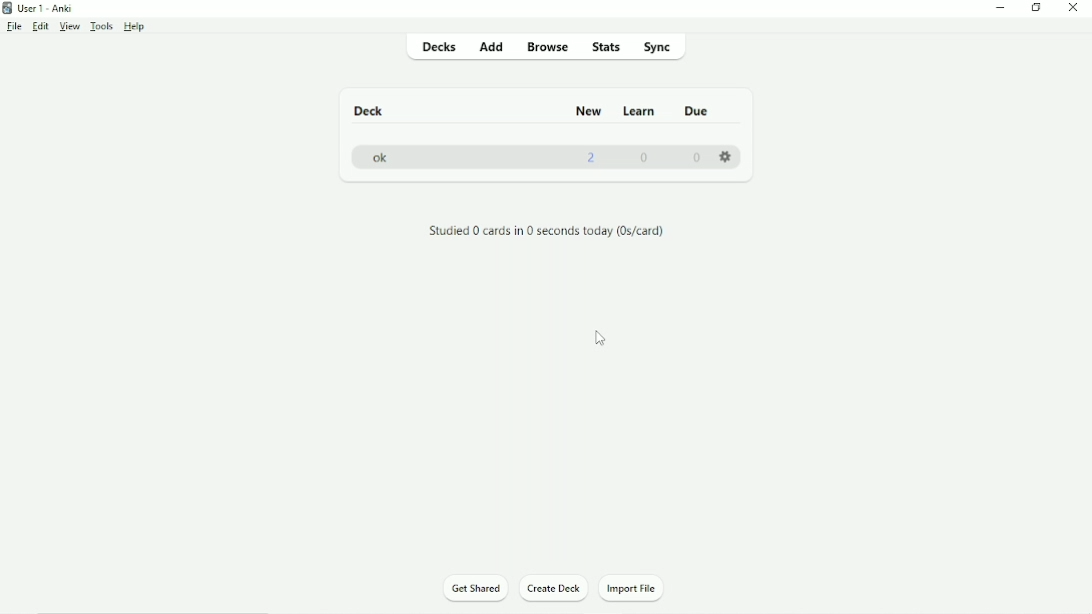  Describe the element at coordinates (588, 109) in the screenshot. I see `New` at that location.